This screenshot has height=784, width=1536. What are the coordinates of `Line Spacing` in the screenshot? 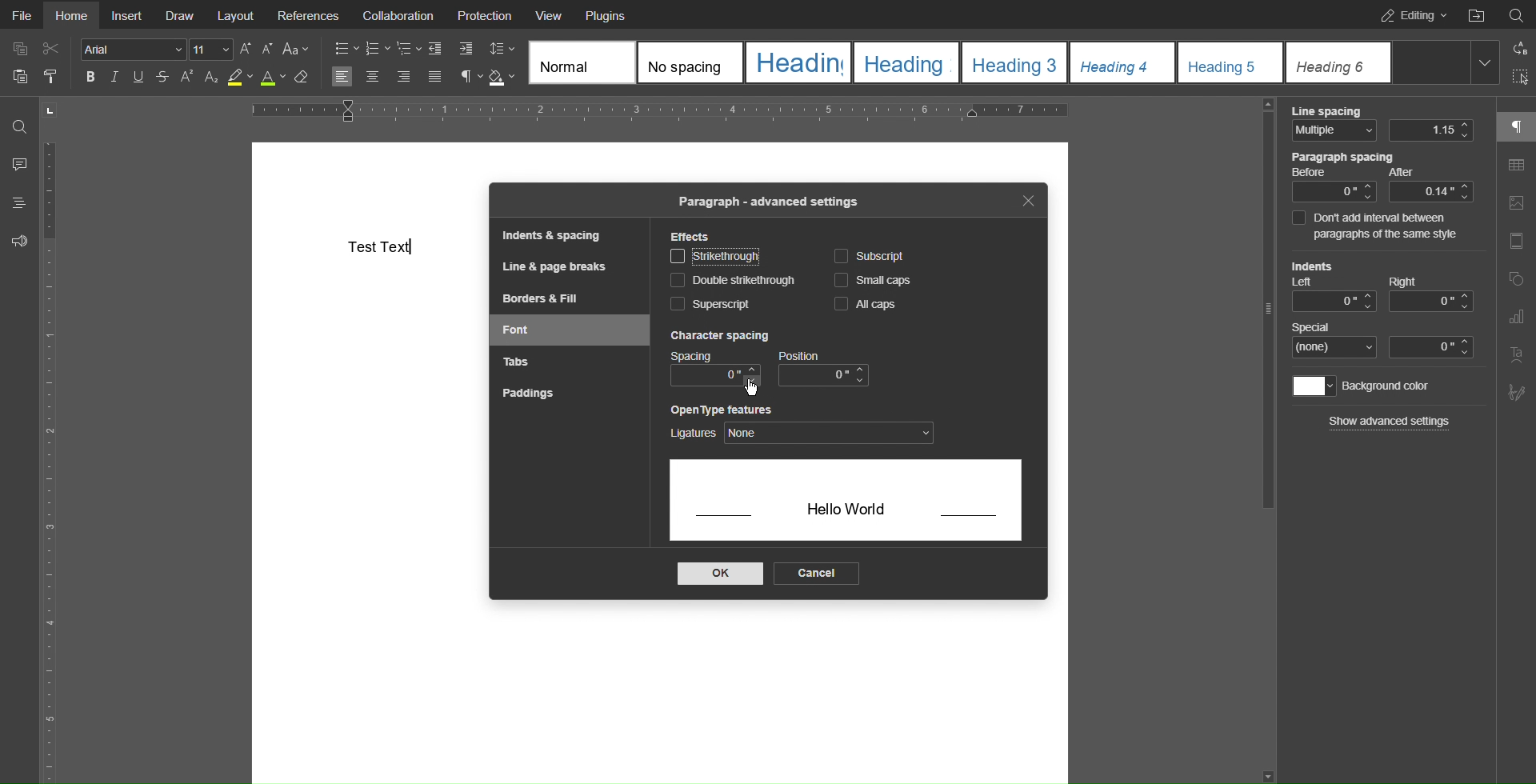 It's located at (1382, 124).